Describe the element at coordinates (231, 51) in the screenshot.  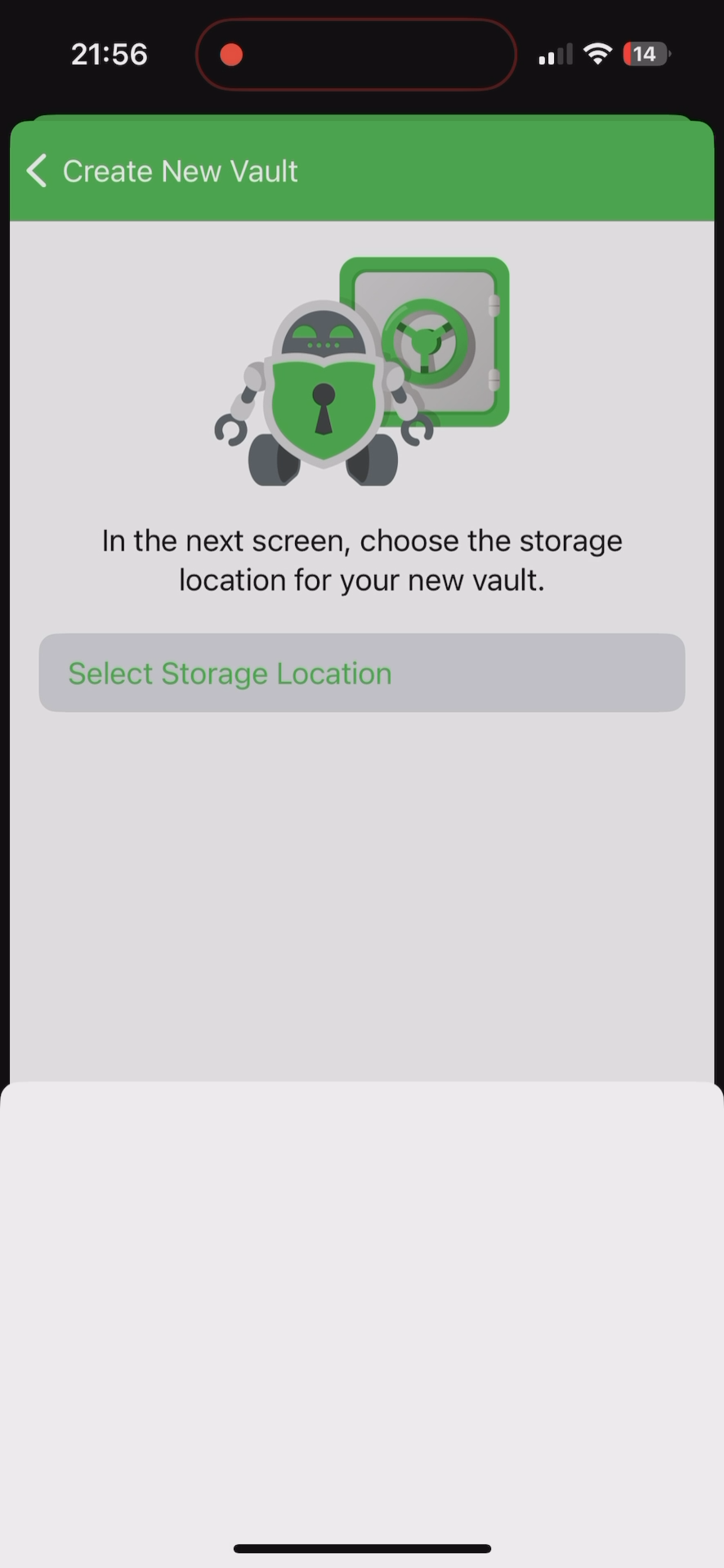
I see `recording the screen` at that location.